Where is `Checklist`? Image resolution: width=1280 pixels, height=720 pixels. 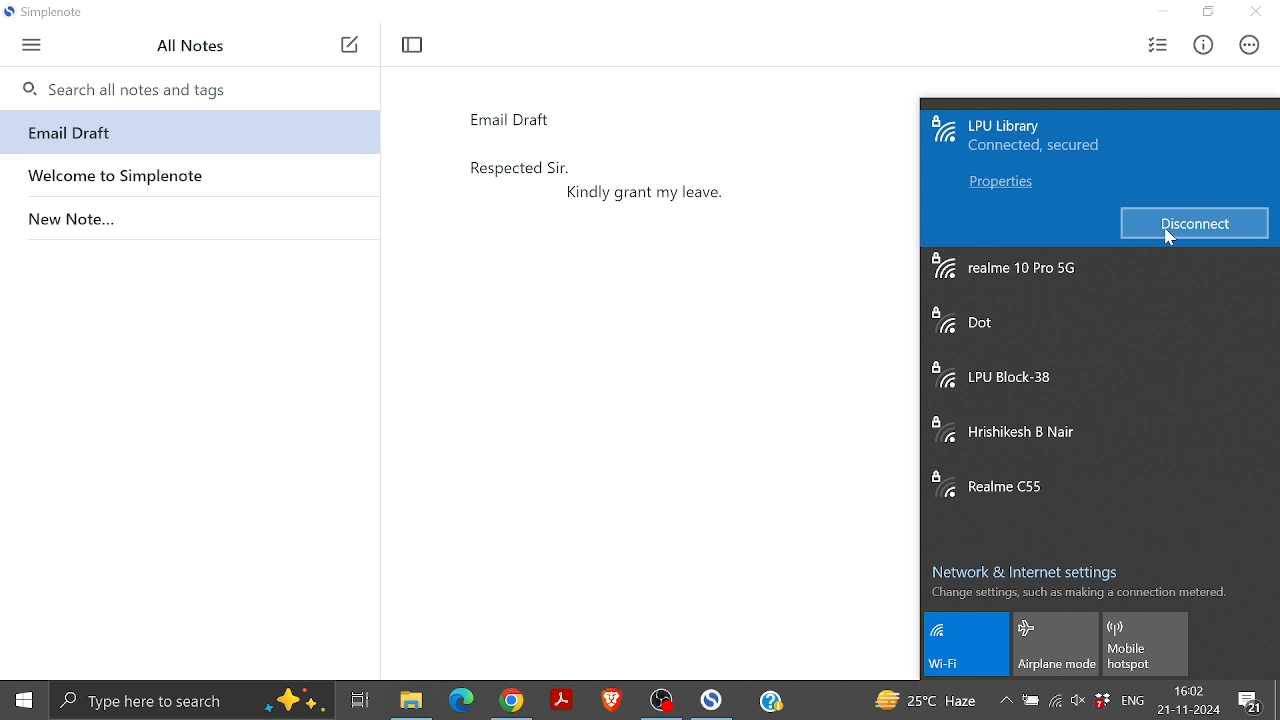 Checklist is located at coordinates (1157, 45).